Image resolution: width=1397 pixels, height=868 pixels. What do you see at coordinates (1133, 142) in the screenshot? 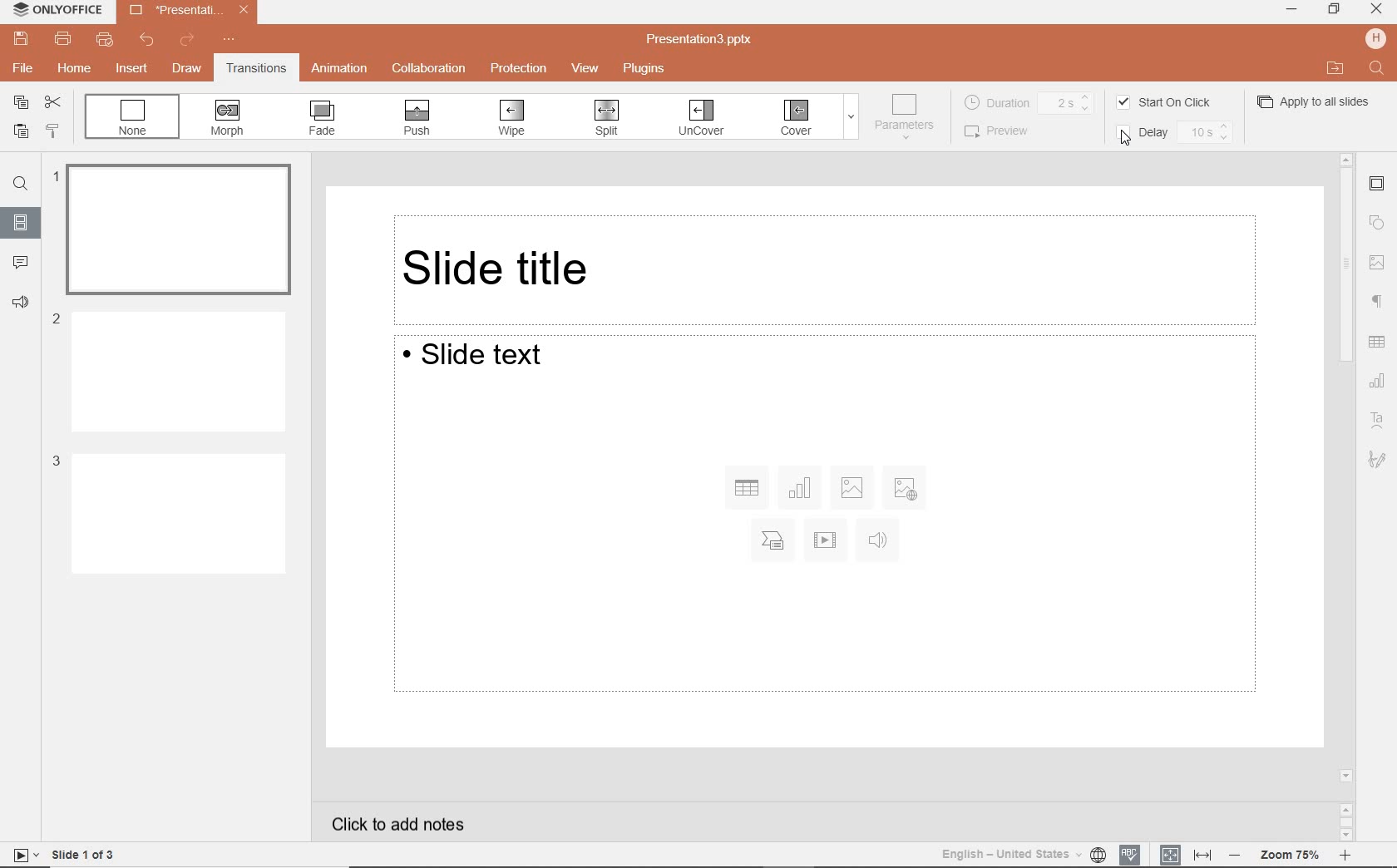
I see `cursor` at bounding box center [1133, 142].